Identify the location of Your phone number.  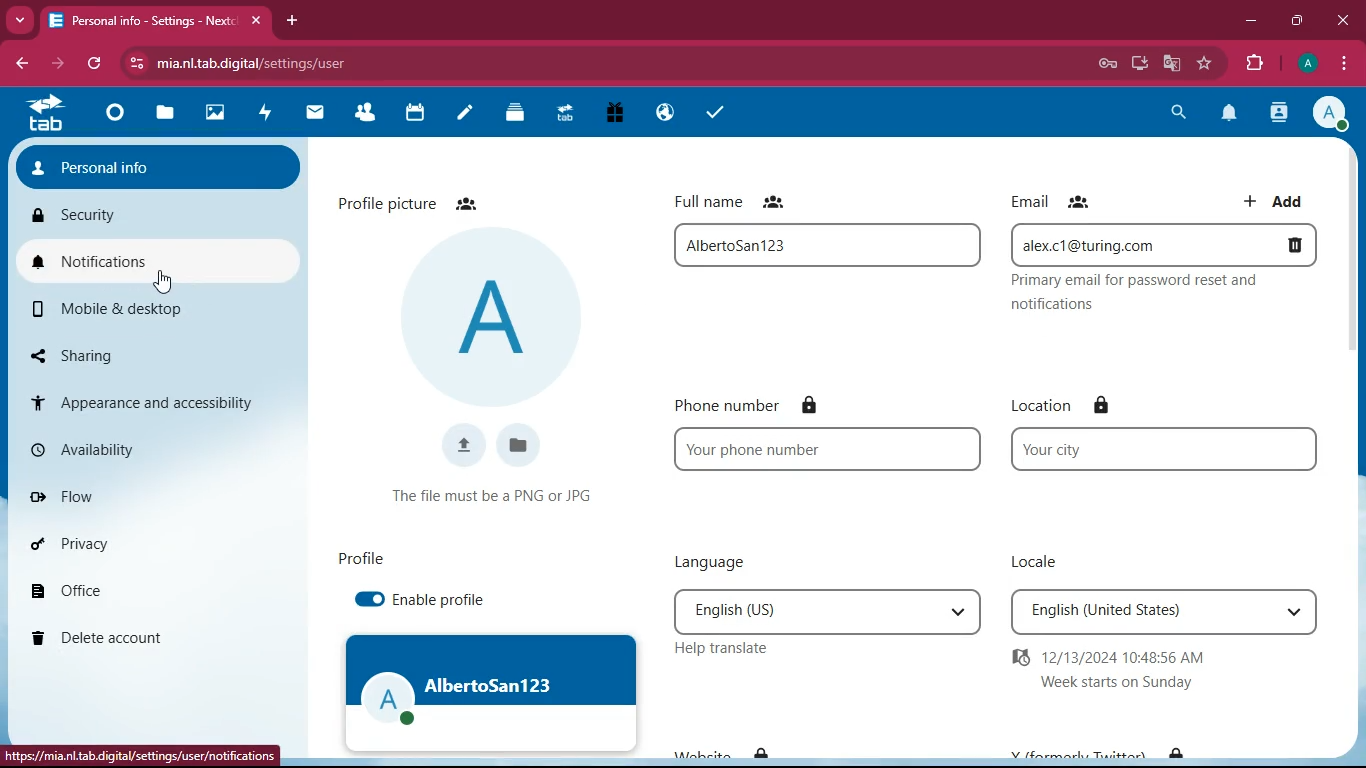
(828, 451).